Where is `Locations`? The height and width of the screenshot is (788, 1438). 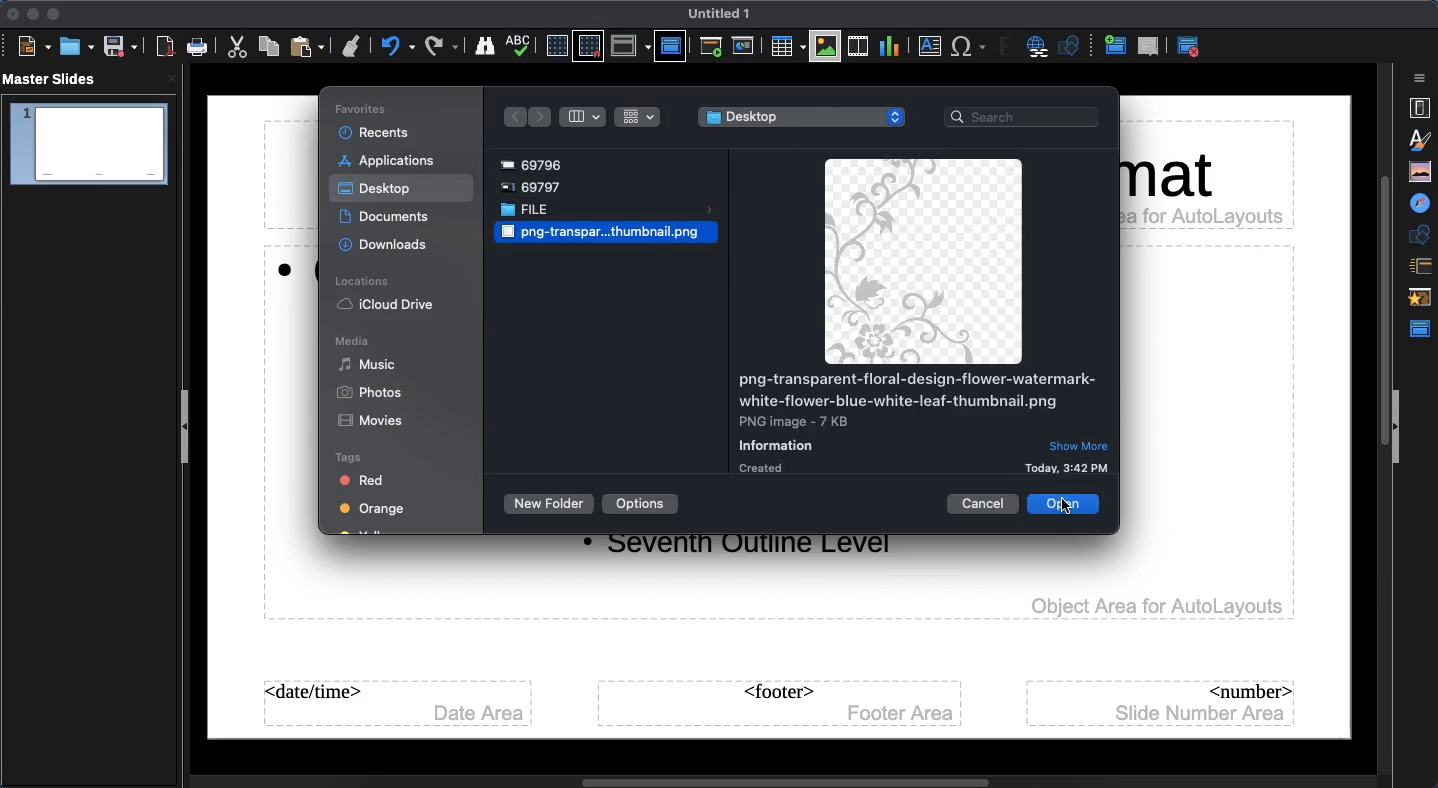
Locations is located at coordinates (363, 283).